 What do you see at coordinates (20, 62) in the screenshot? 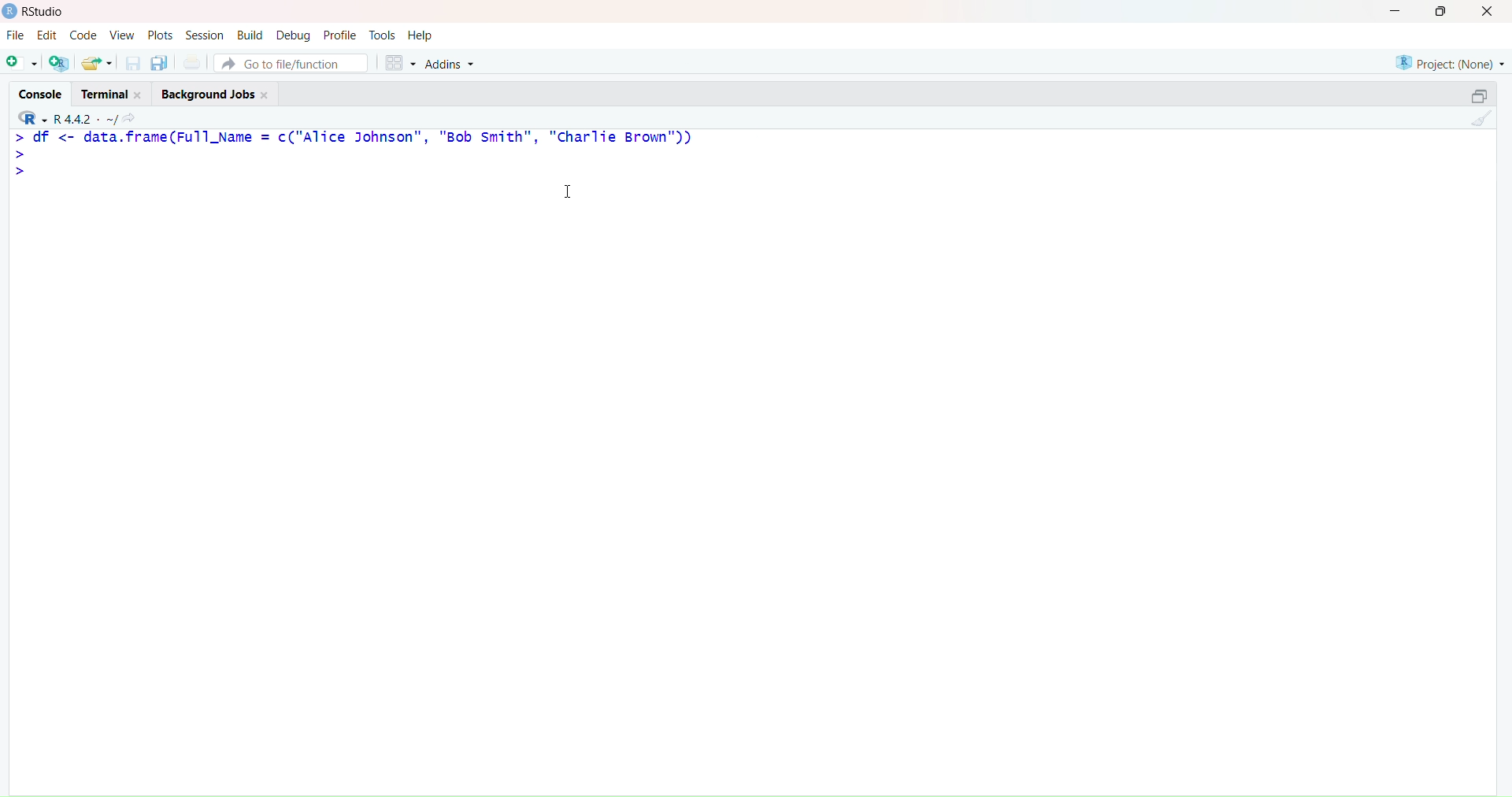
I see `New File` at bounding box center [20, 62].